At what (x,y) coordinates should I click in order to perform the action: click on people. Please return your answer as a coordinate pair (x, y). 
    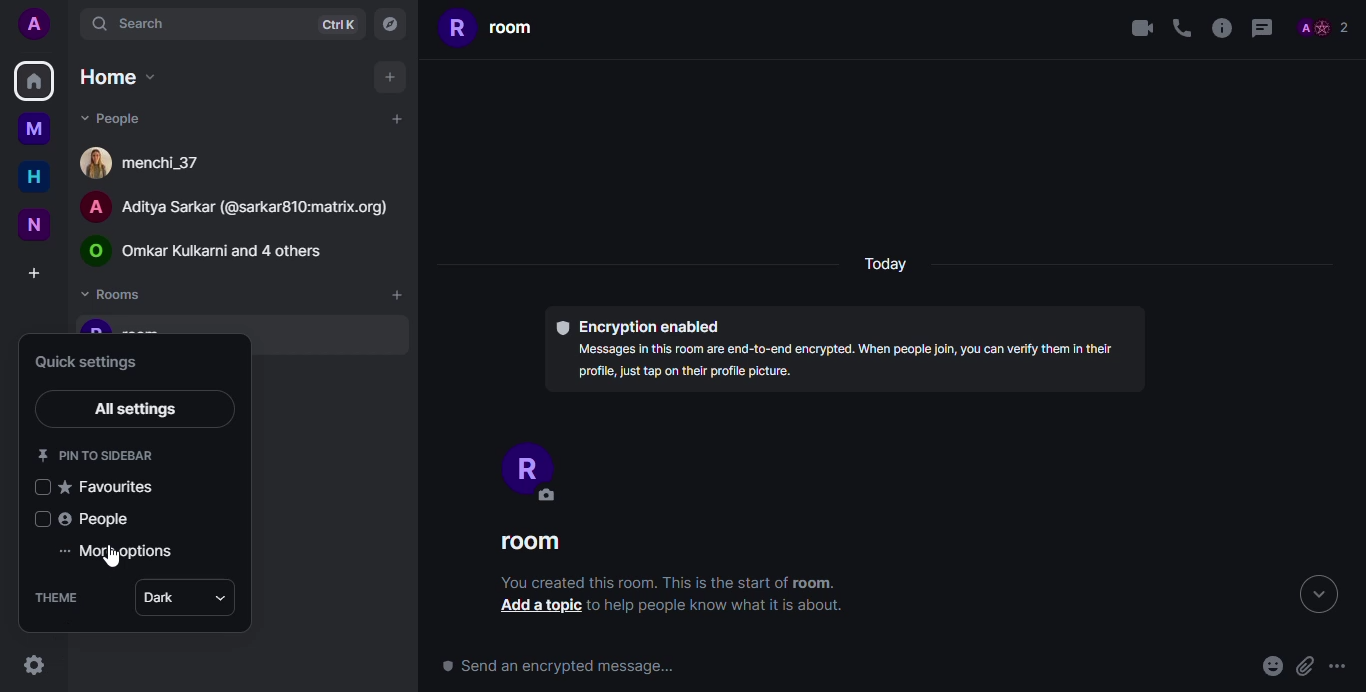
    Looking at the image, I should click on (1322, 25).